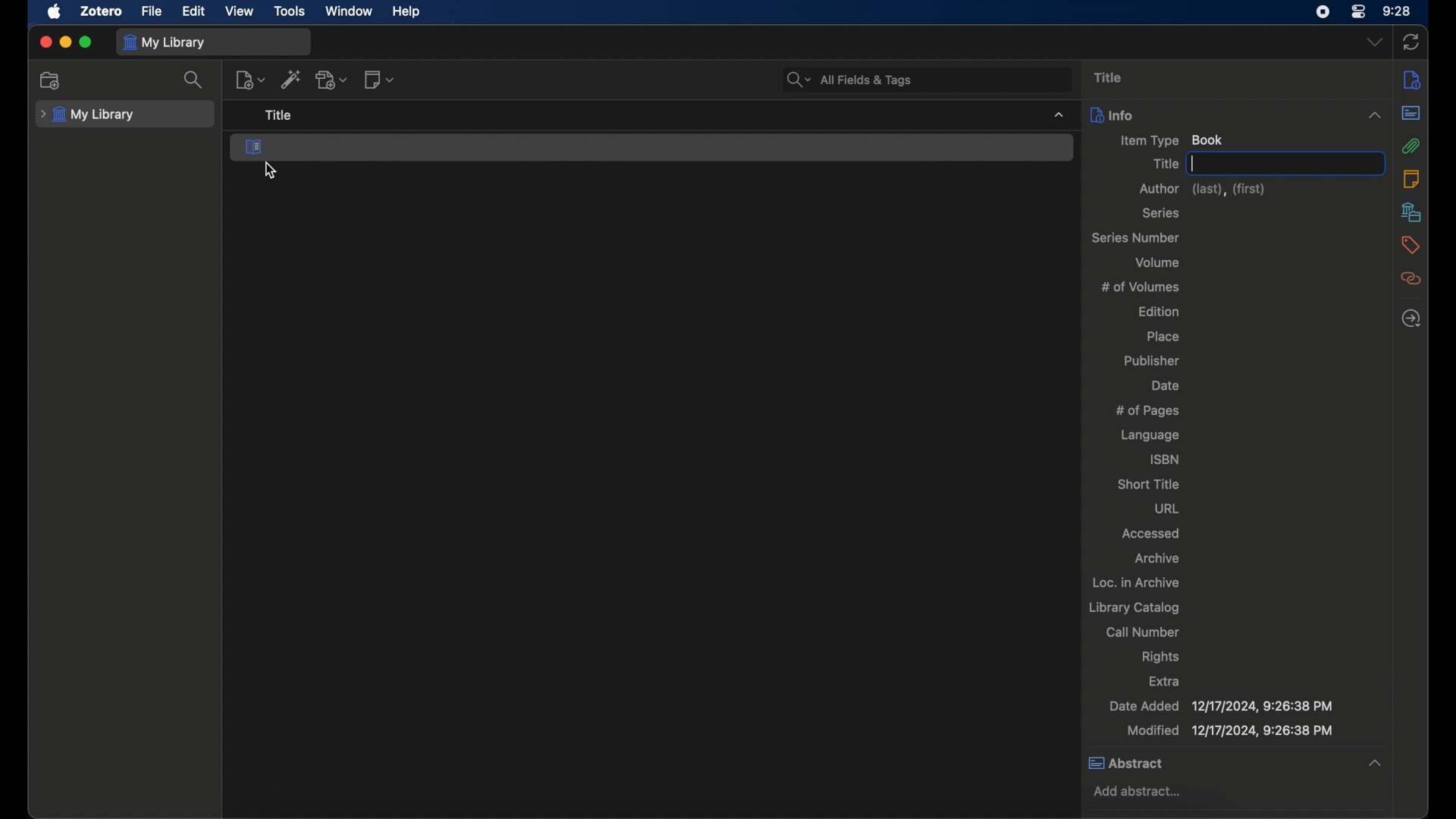 The width and height of the screenshot is (1456, 819). Describe the element at coordinates (1163, 163) in the screenshot. I see `title` at that location.